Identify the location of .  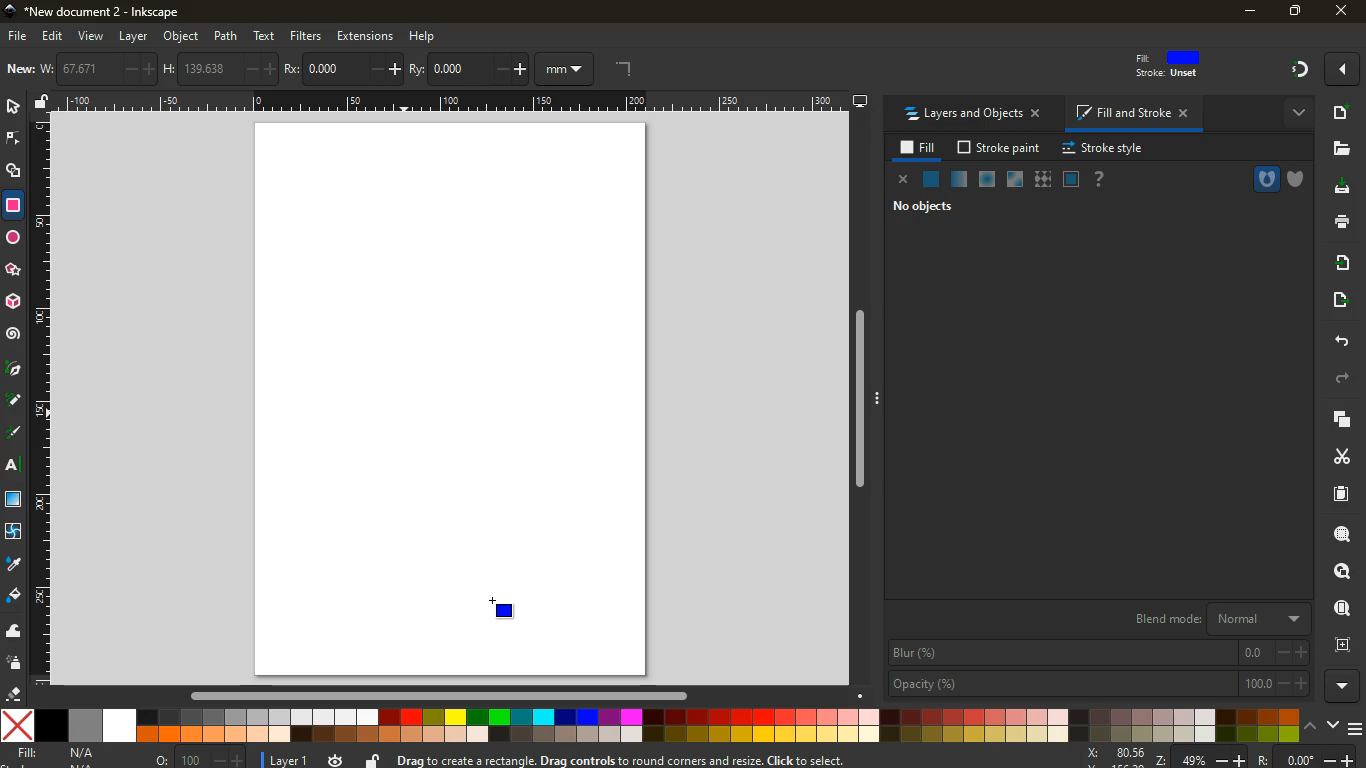
(1292, 69).